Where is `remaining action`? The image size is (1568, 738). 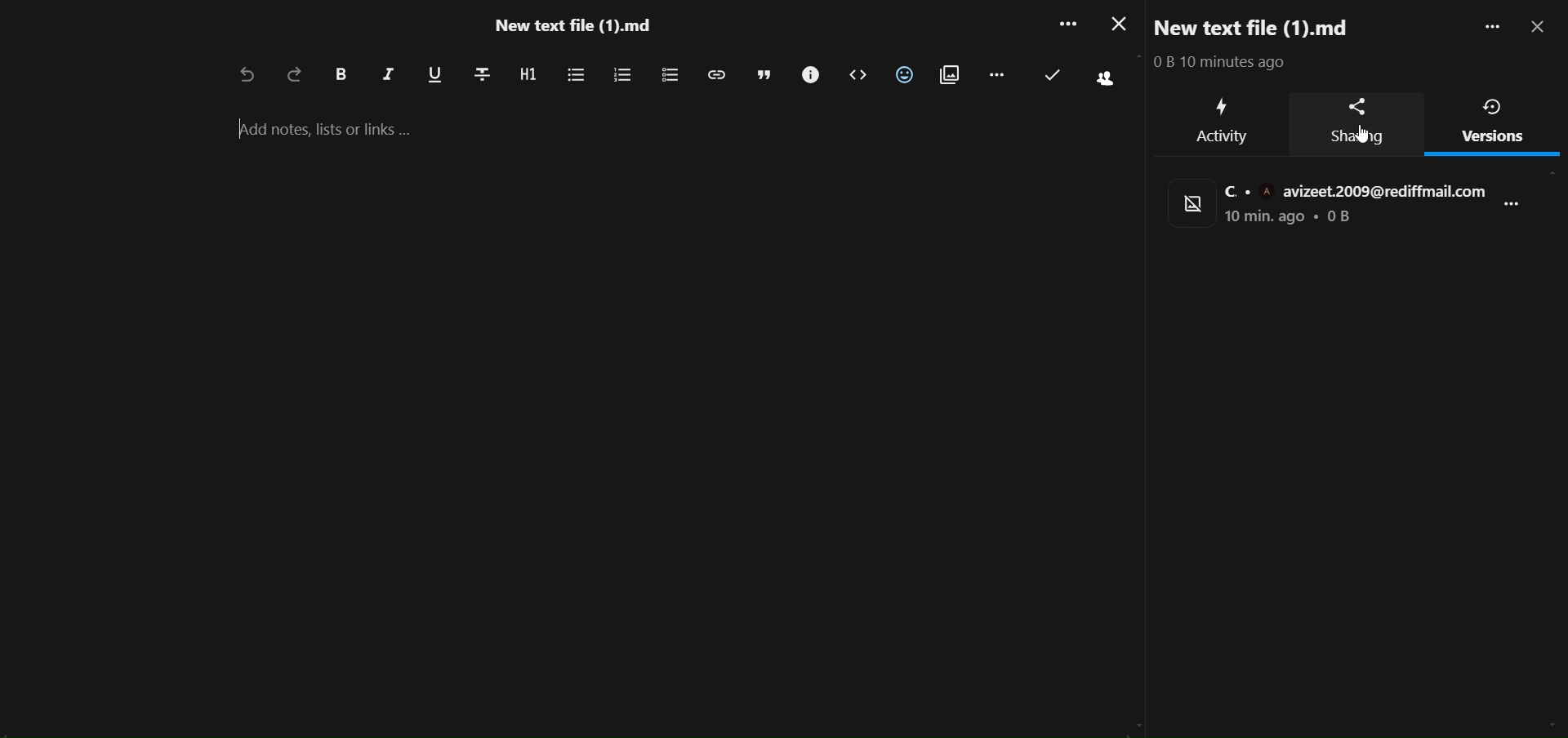 remaining action is located at coordinates (996, 73).